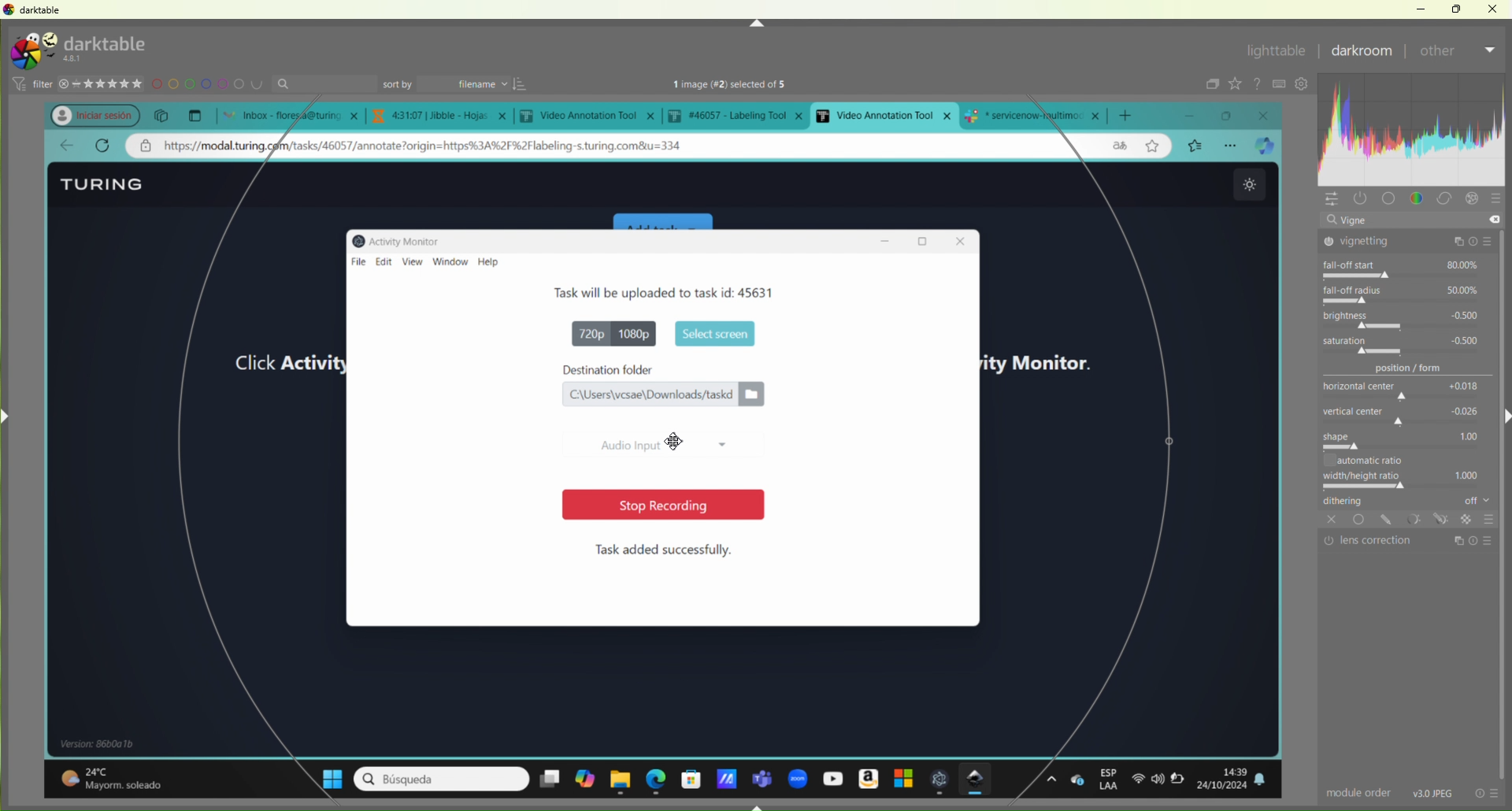 This screenshot has height=811, width=1512. What do you see at coordinates (1110, 780) in the screenshot?
I see `esp Laa` at bounding box center [1110, 780].